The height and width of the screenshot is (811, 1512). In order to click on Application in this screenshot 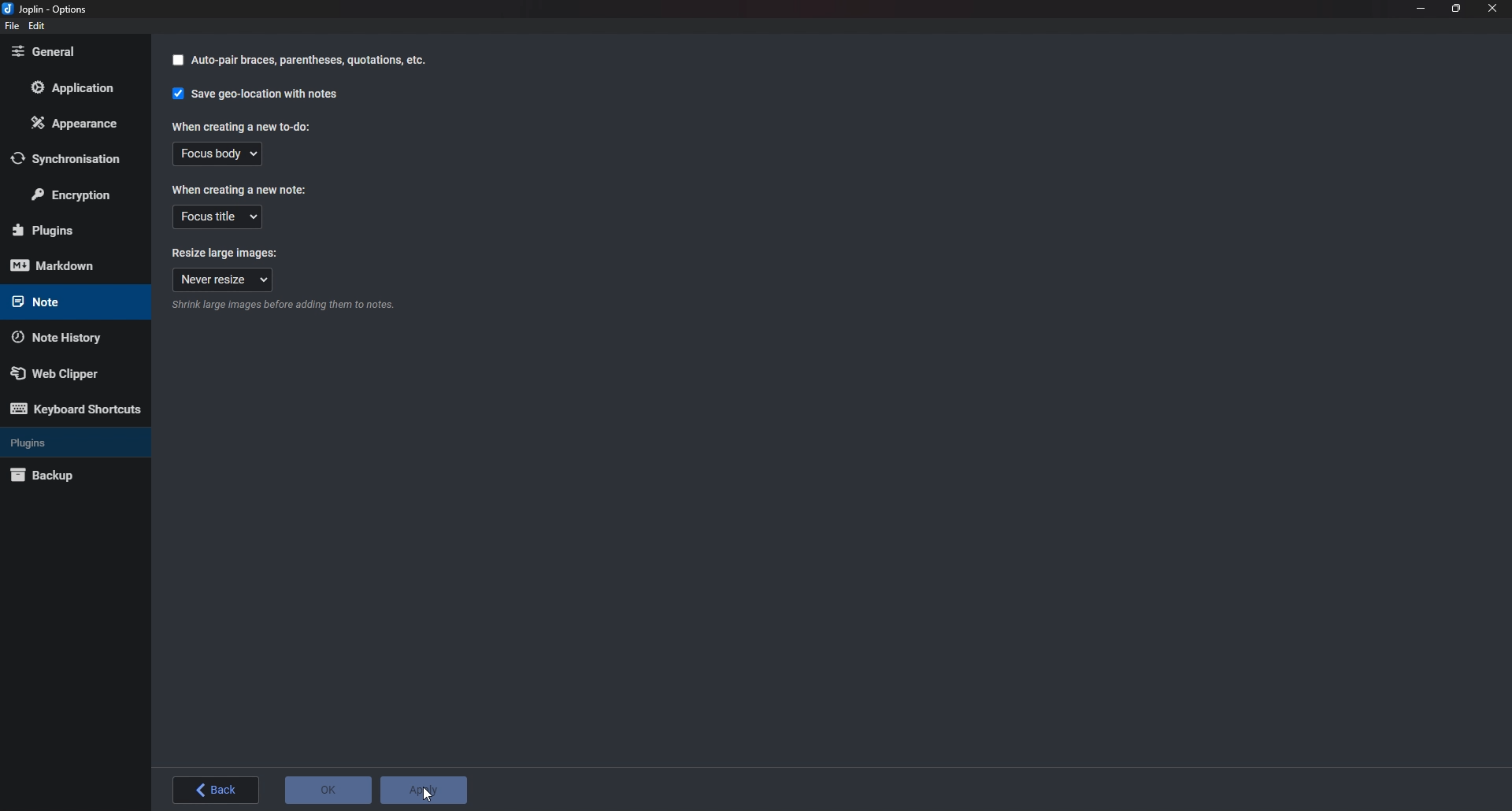, I will do `click(78, 90)`.